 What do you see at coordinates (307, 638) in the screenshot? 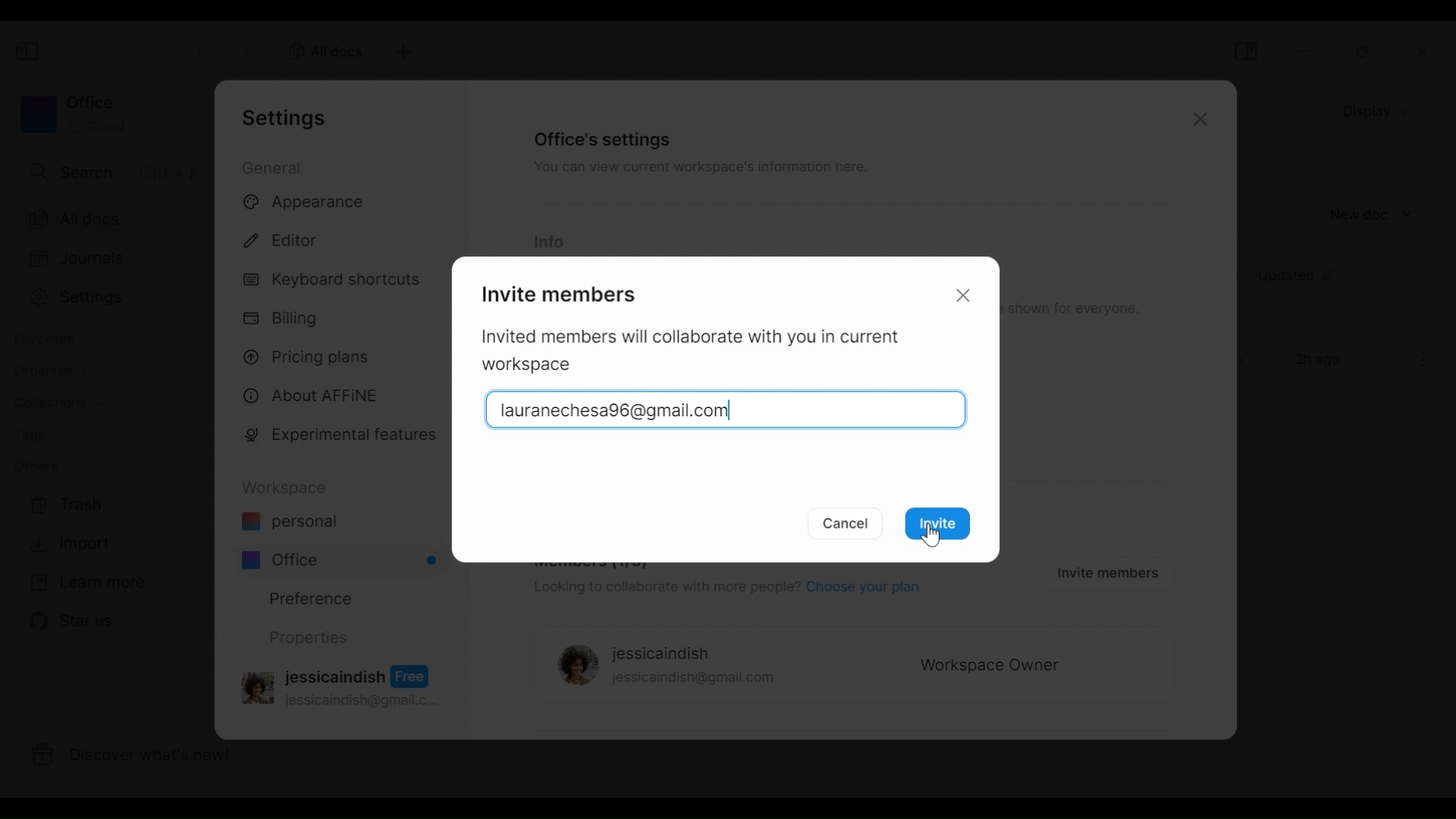
I see `Properties` at bounding box center [307, 638].